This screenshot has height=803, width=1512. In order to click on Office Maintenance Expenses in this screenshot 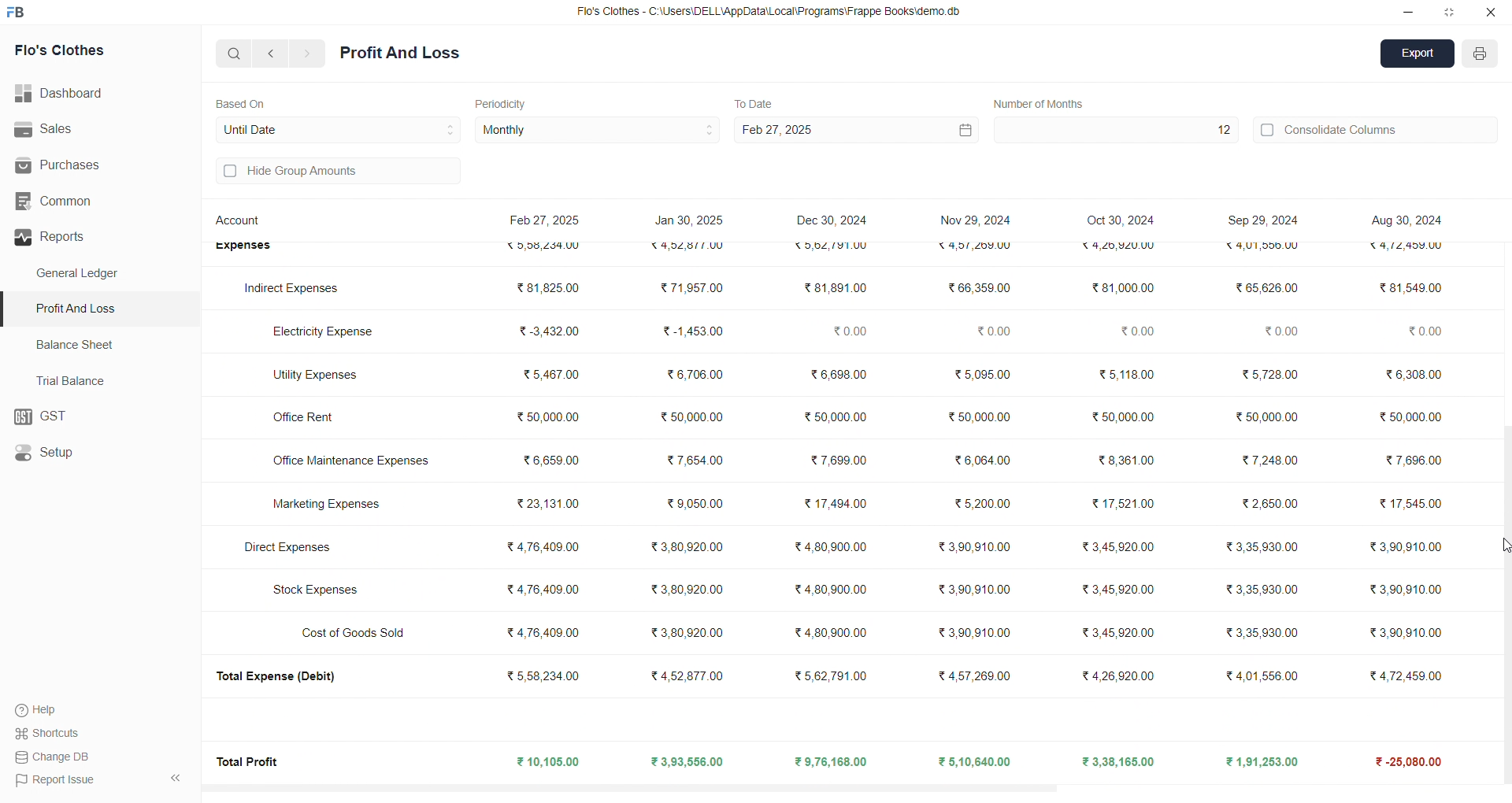, I will do `click(354, 461)`.